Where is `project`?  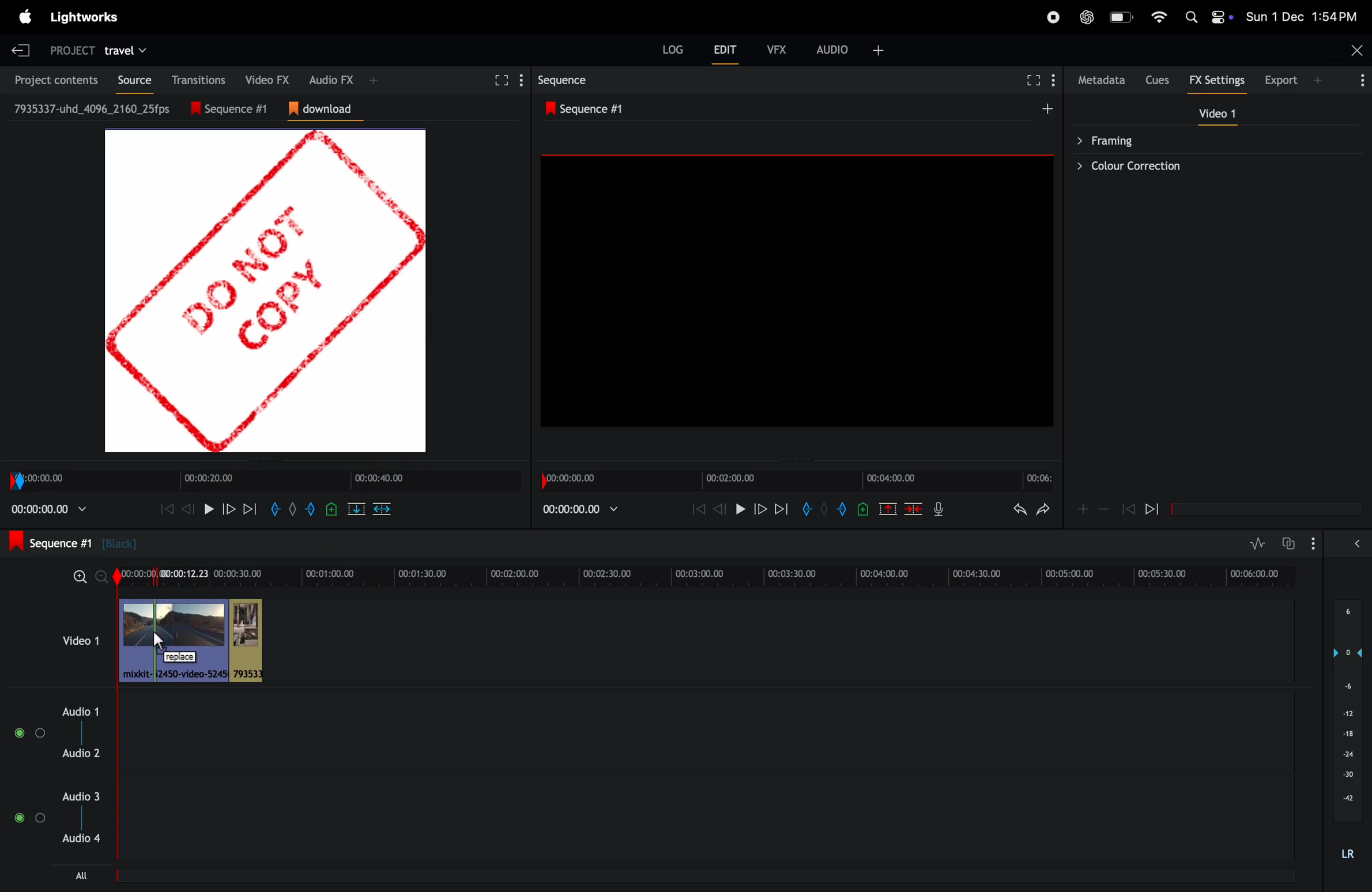 project is located at coordinates (72, 52).